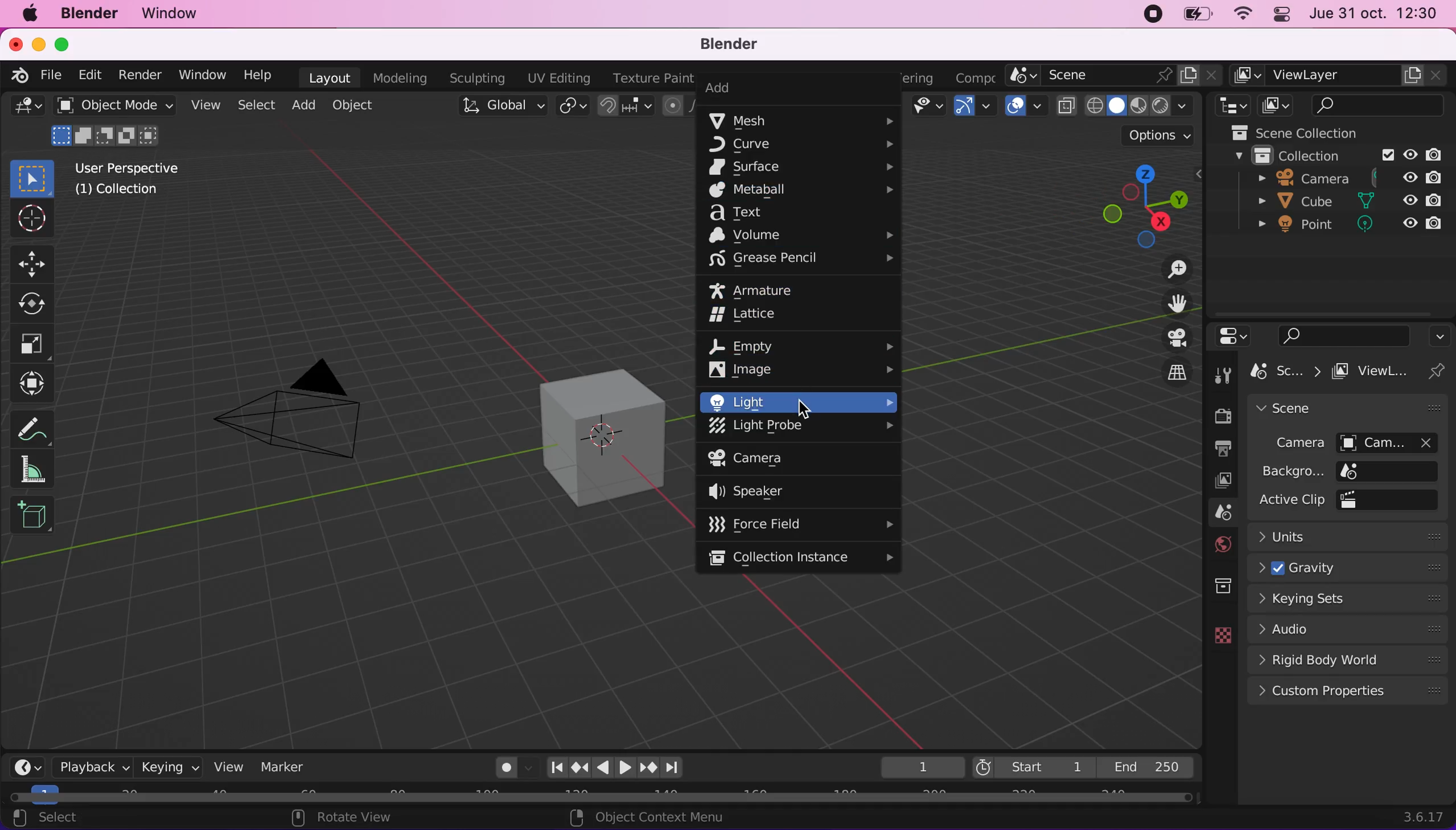 The width and height of the screenshot is (1456, 830). Describe the element at coordinates (1410, 200) in the screenshot. I see `hide in viewpoint` at that location.